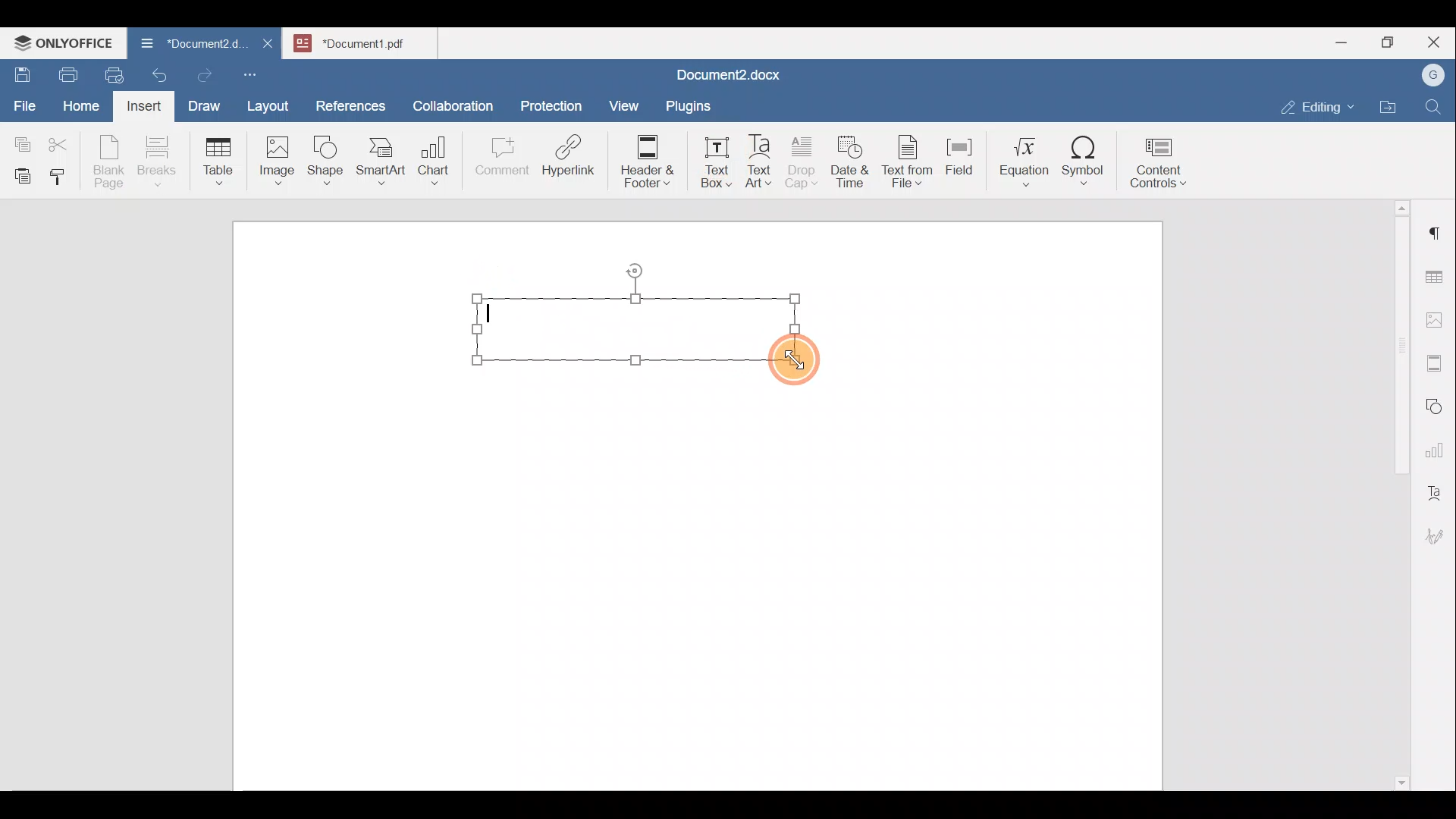  I want to click on Find, so click(1435, 108).